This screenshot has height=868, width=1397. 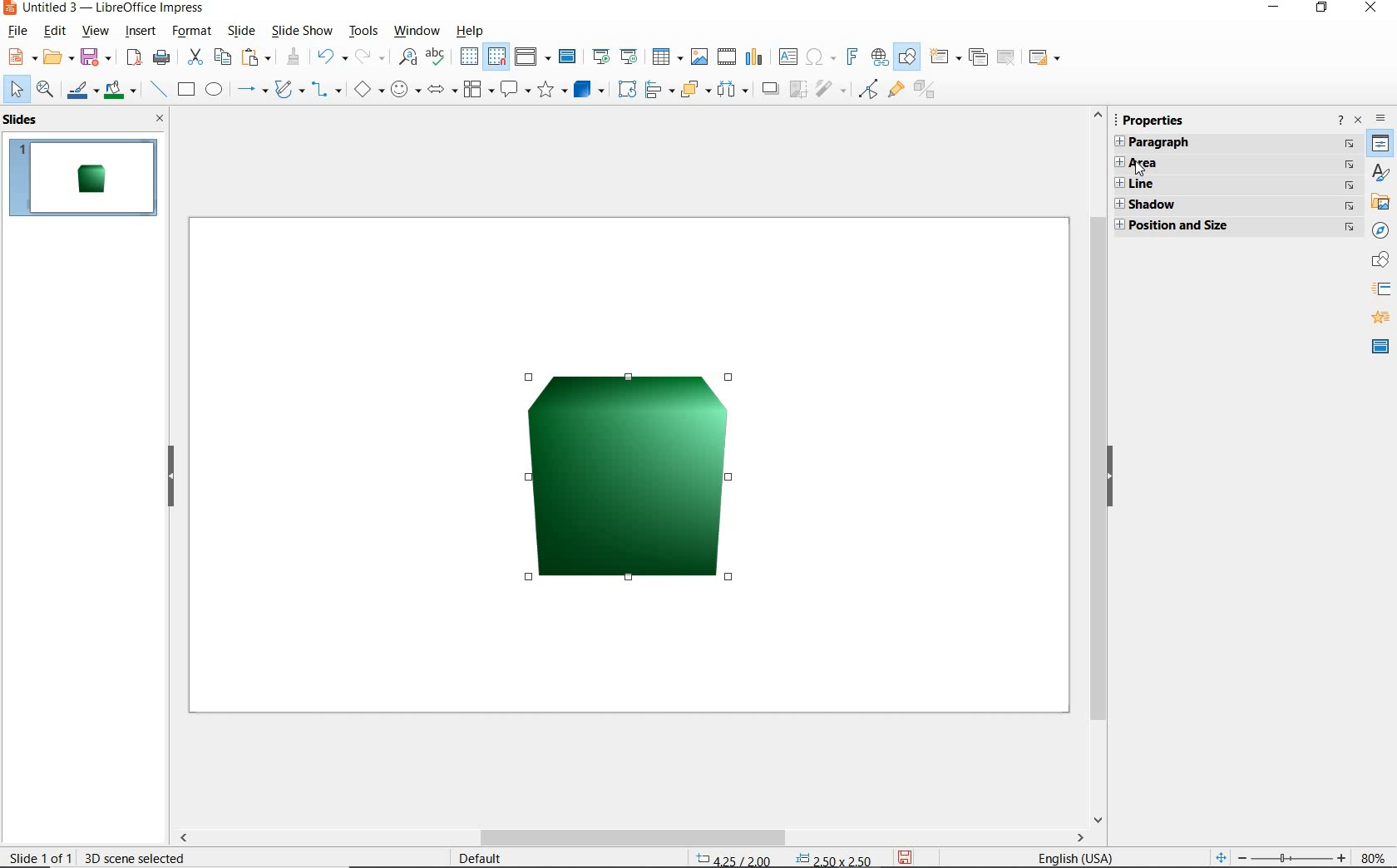 What do you see at coordinates (417, 32) in the screenshot?
I see `window` at bounding box center [417, 32].